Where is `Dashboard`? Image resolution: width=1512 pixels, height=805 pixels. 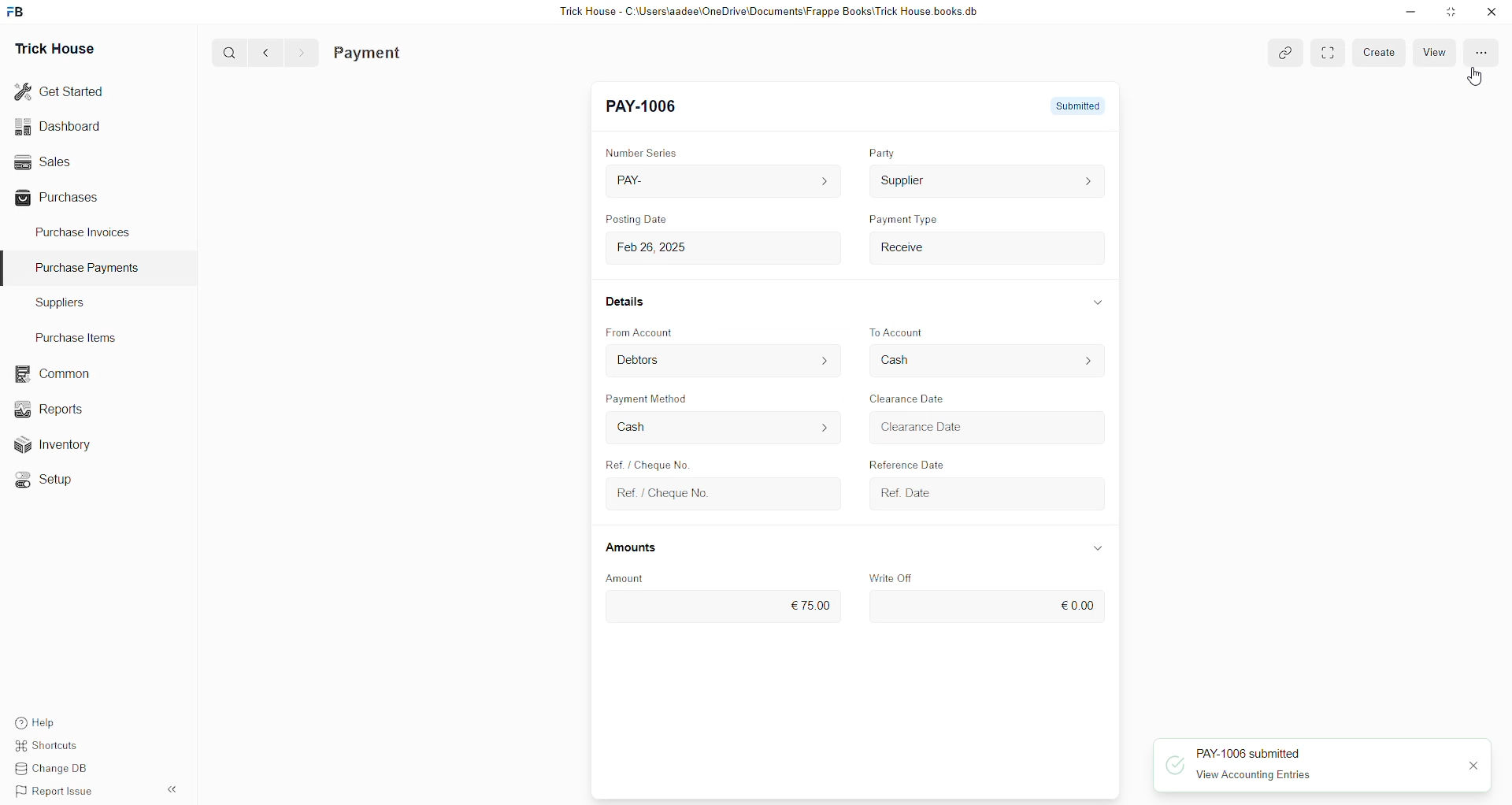
Dashboard is located at coordinates (61, 126).